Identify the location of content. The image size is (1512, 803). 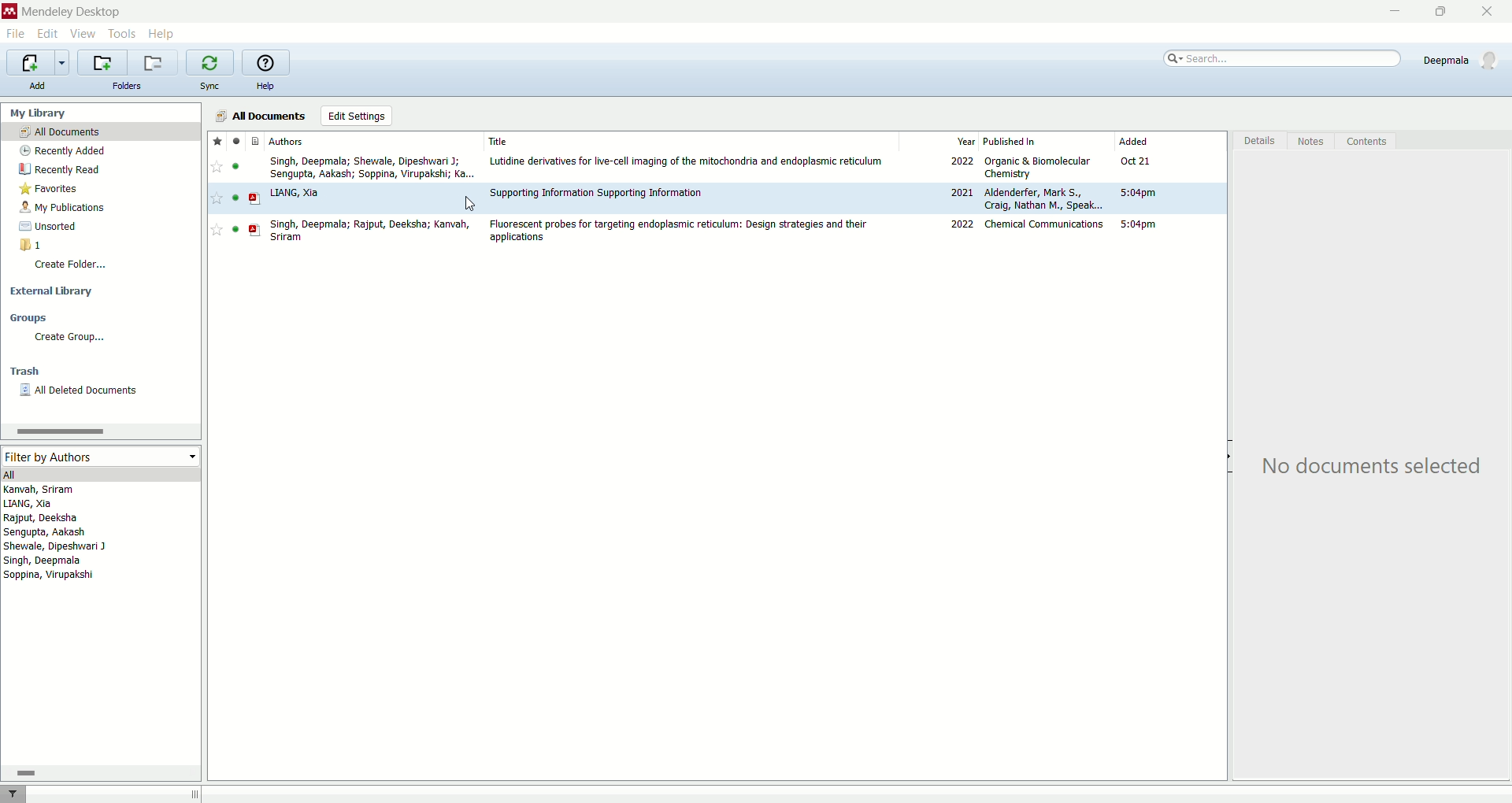
(1372, 143).